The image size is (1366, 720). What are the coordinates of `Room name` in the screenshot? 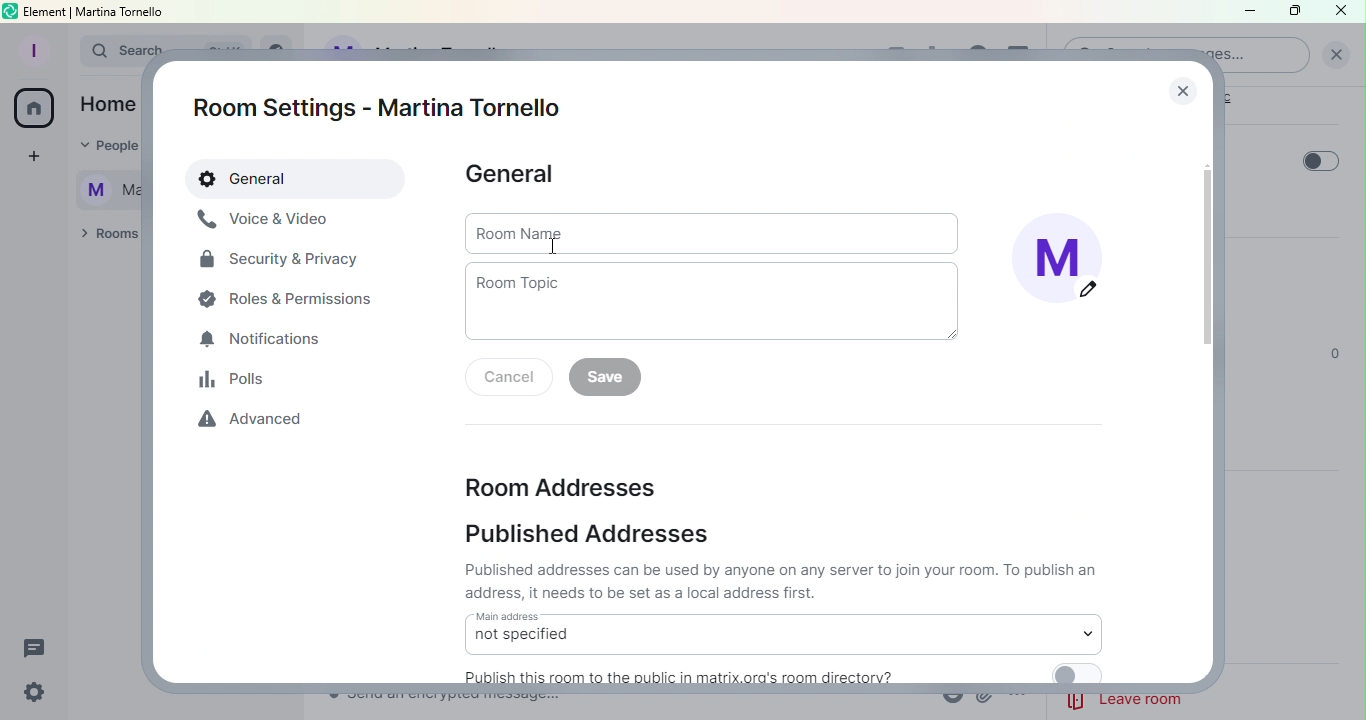 It's located at (715, 232).